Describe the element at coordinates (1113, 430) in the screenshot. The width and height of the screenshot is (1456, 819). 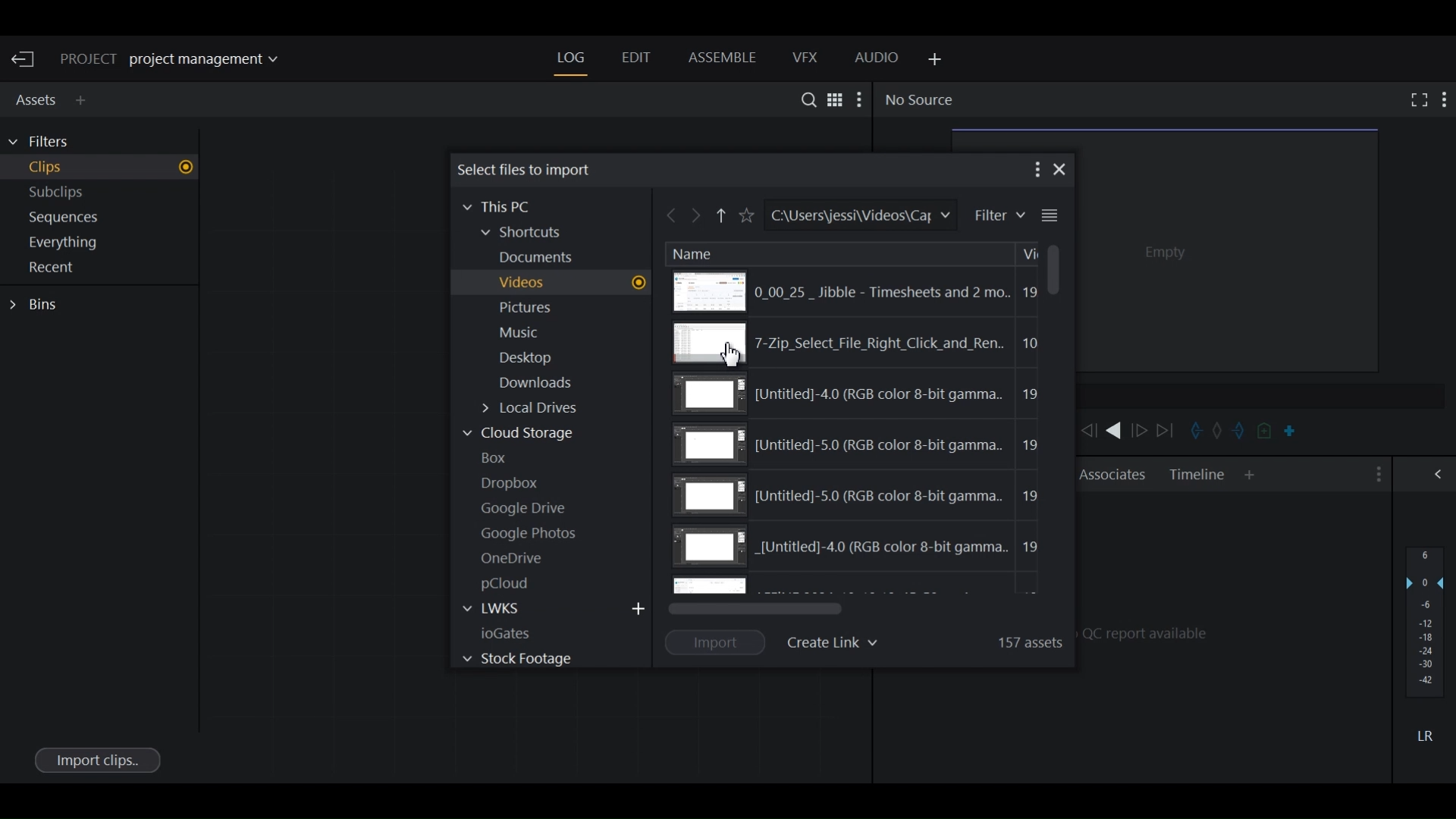
I see `Play` at that location.